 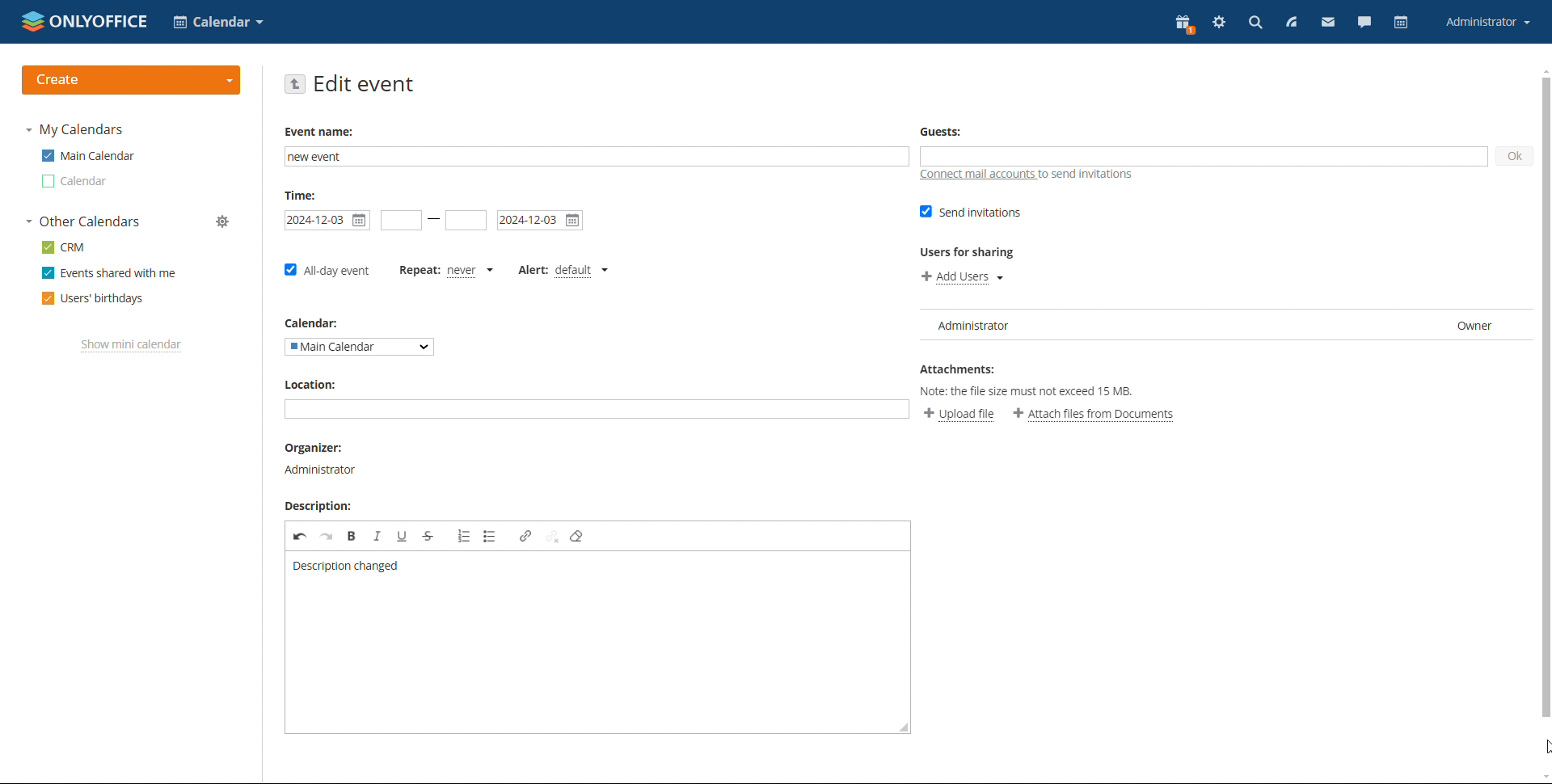 What do you see at coordinates (1027, 177) in the screenshot?
I see `connect mail accounts` at bounding box center [1027, 177].